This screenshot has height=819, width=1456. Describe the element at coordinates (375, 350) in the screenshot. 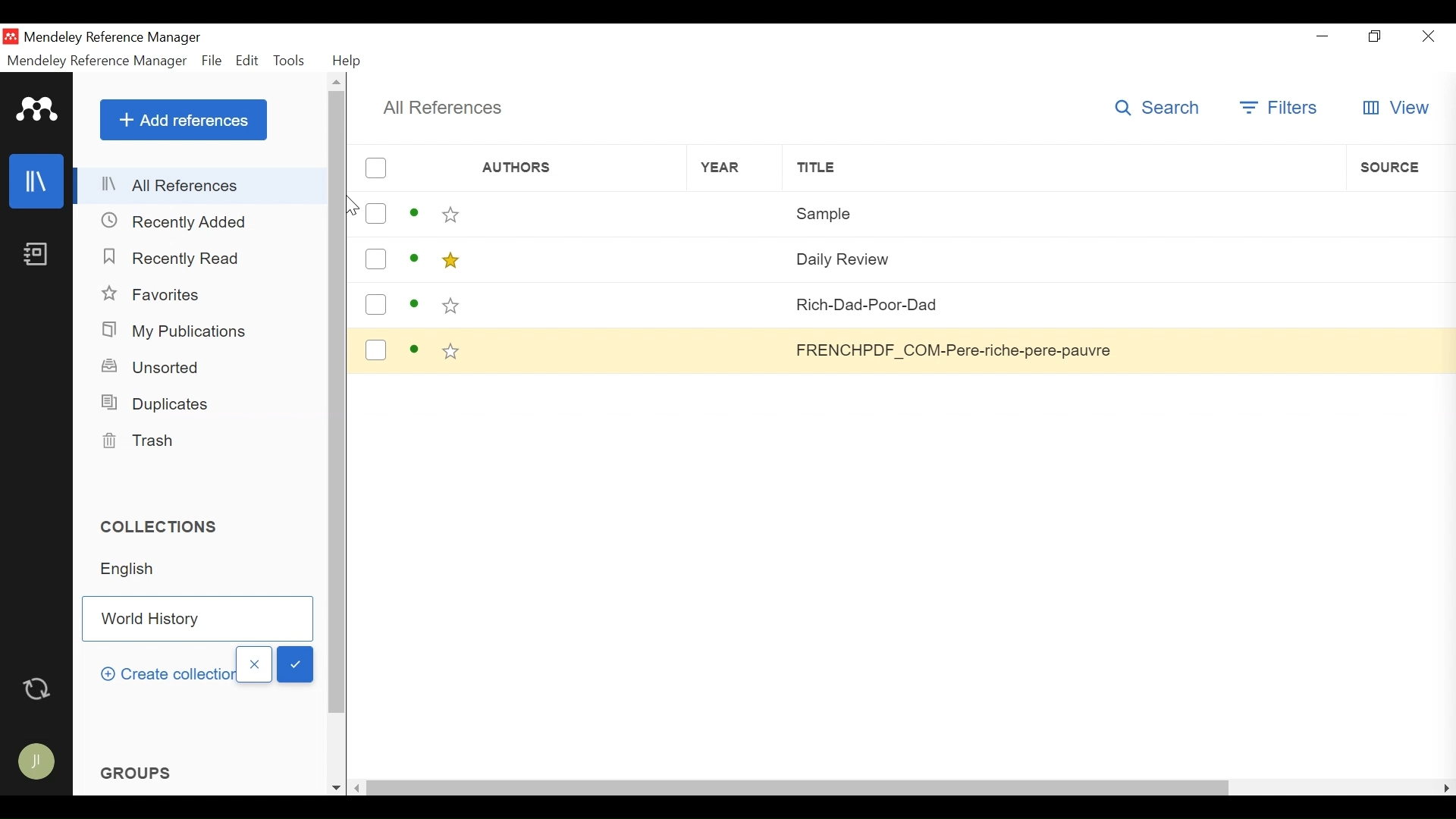

I see `(un)select` at that location.